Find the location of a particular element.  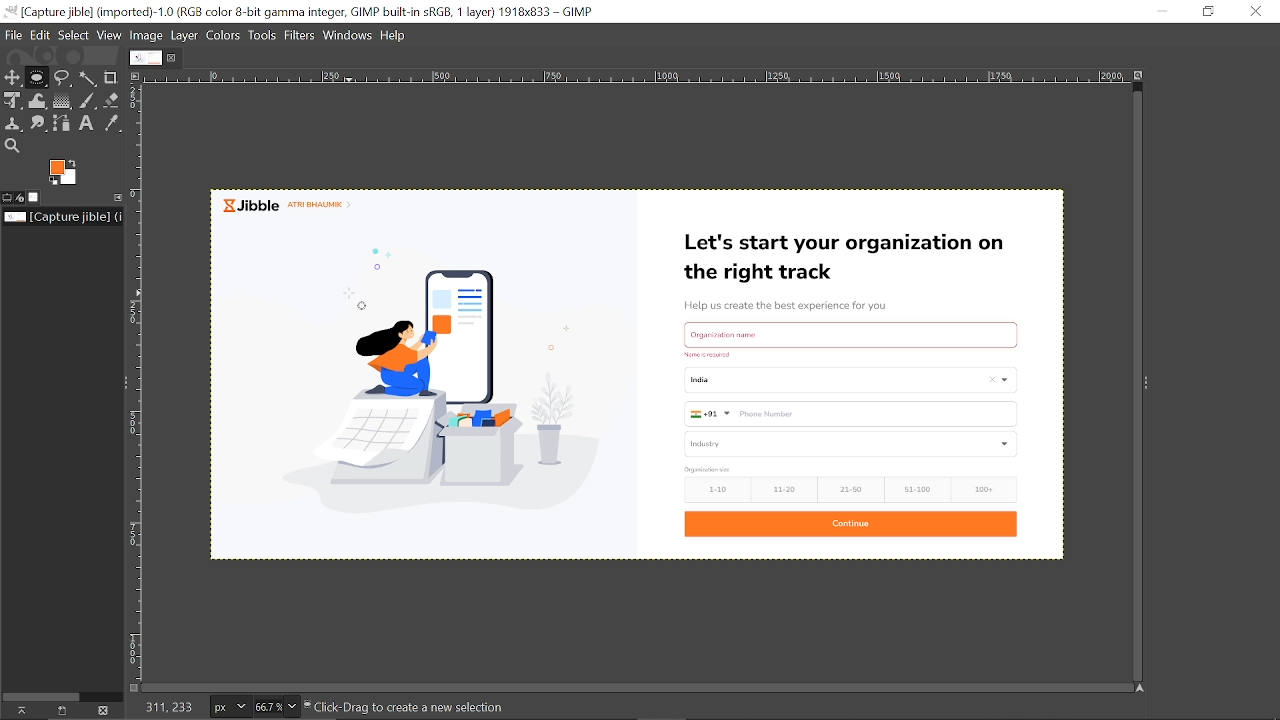

Crop tool is located at coordinates (112, 77).